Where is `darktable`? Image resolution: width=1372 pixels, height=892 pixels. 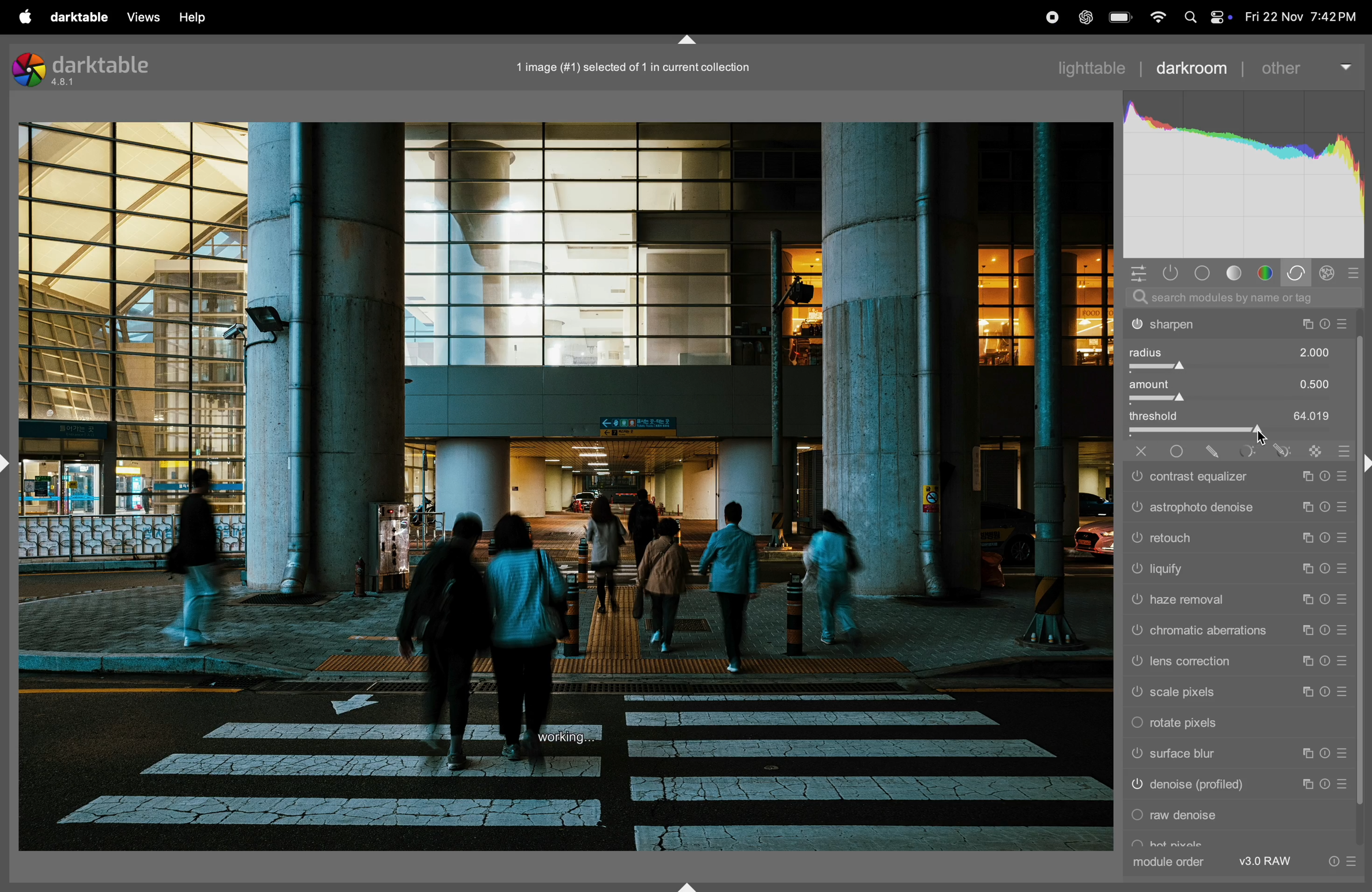
darktable is located at coordinates (88, 68).